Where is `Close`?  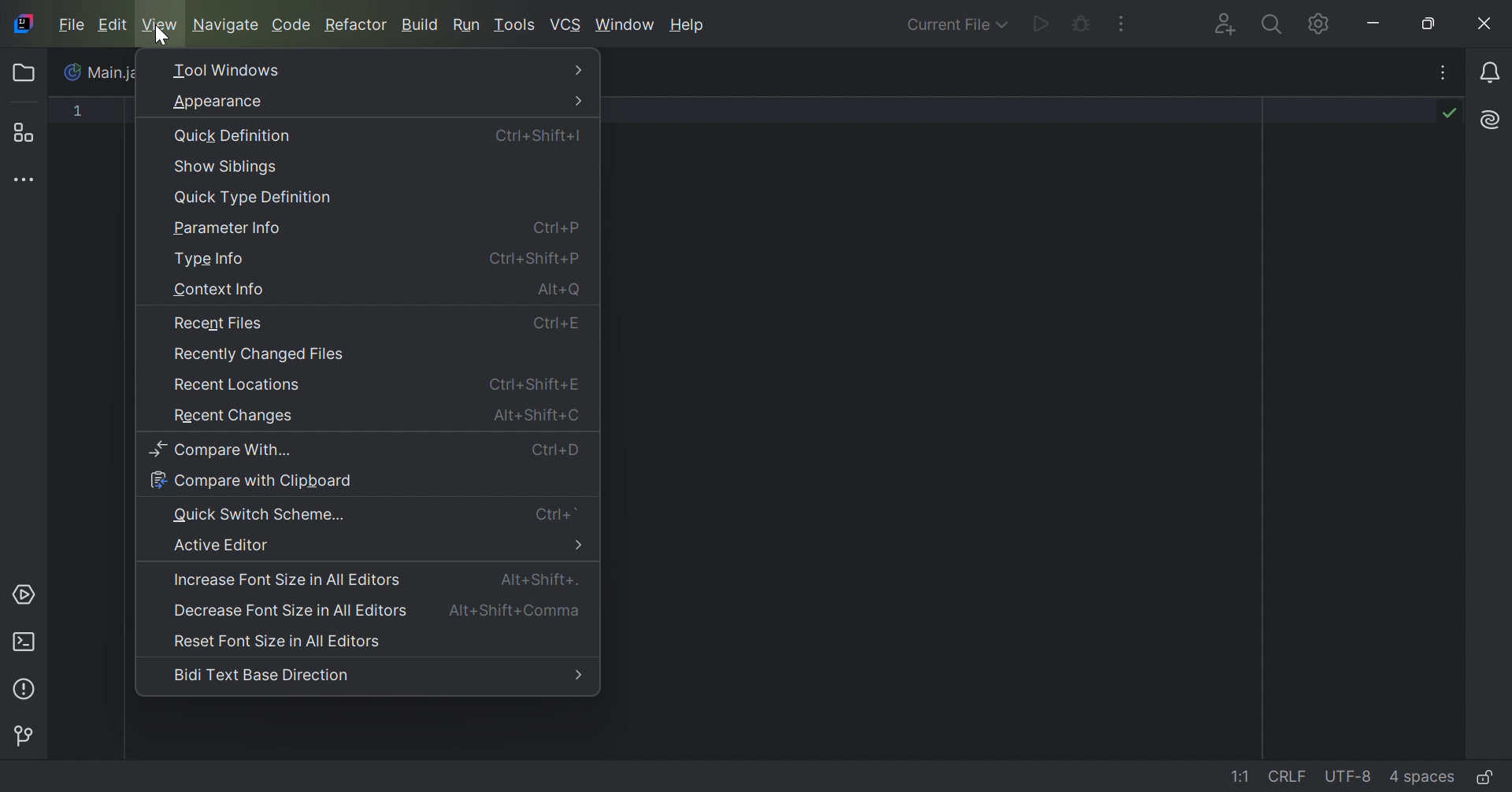 Close is located at coordinates (1486, 24).